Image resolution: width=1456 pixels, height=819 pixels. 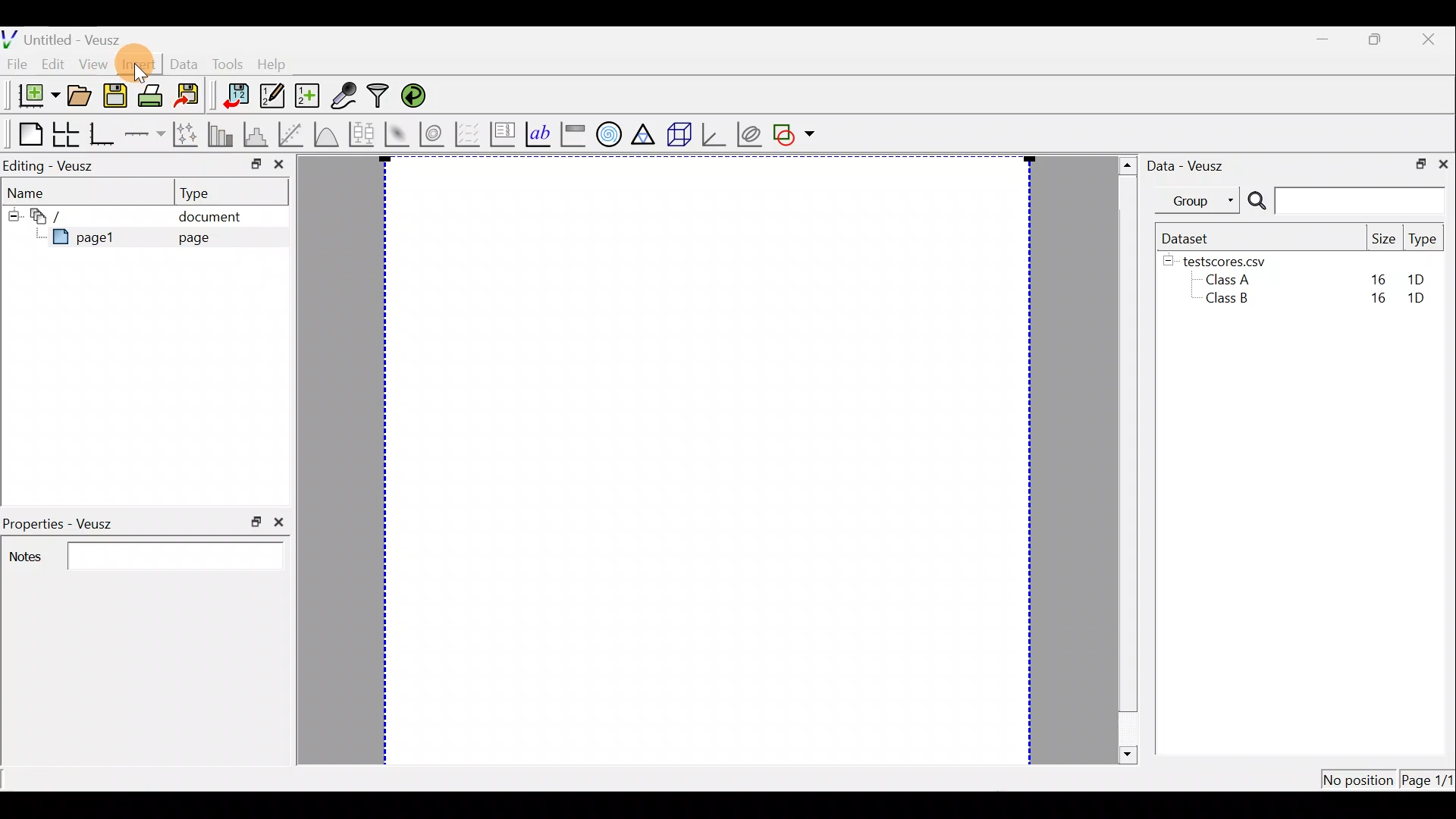 I want to click on Edit and enter new datasets, so click(x=269, y=96).